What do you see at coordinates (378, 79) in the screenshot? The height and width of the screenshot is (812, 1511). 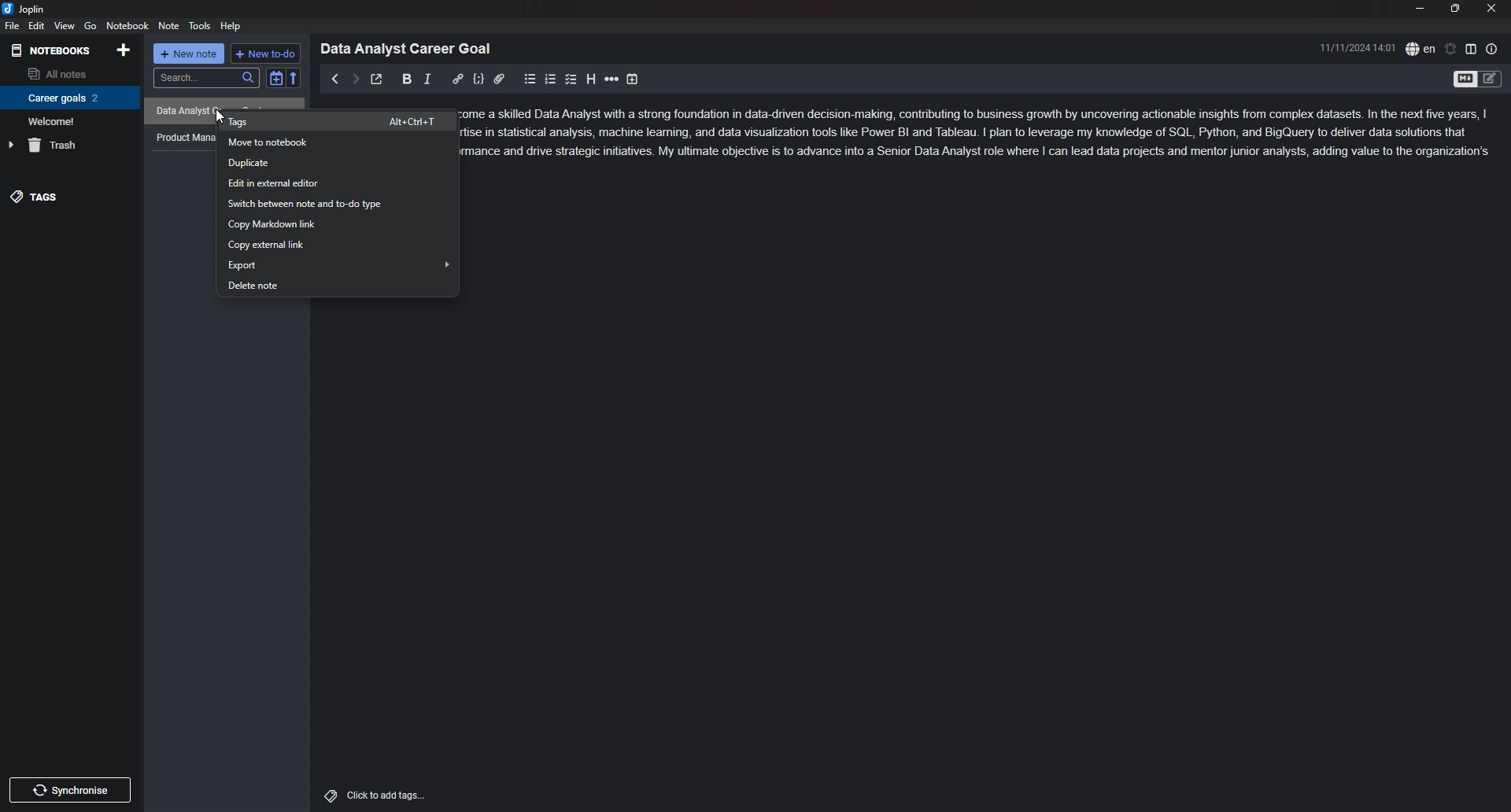 I see `toggle external editor` at bounding box center [378, 79].